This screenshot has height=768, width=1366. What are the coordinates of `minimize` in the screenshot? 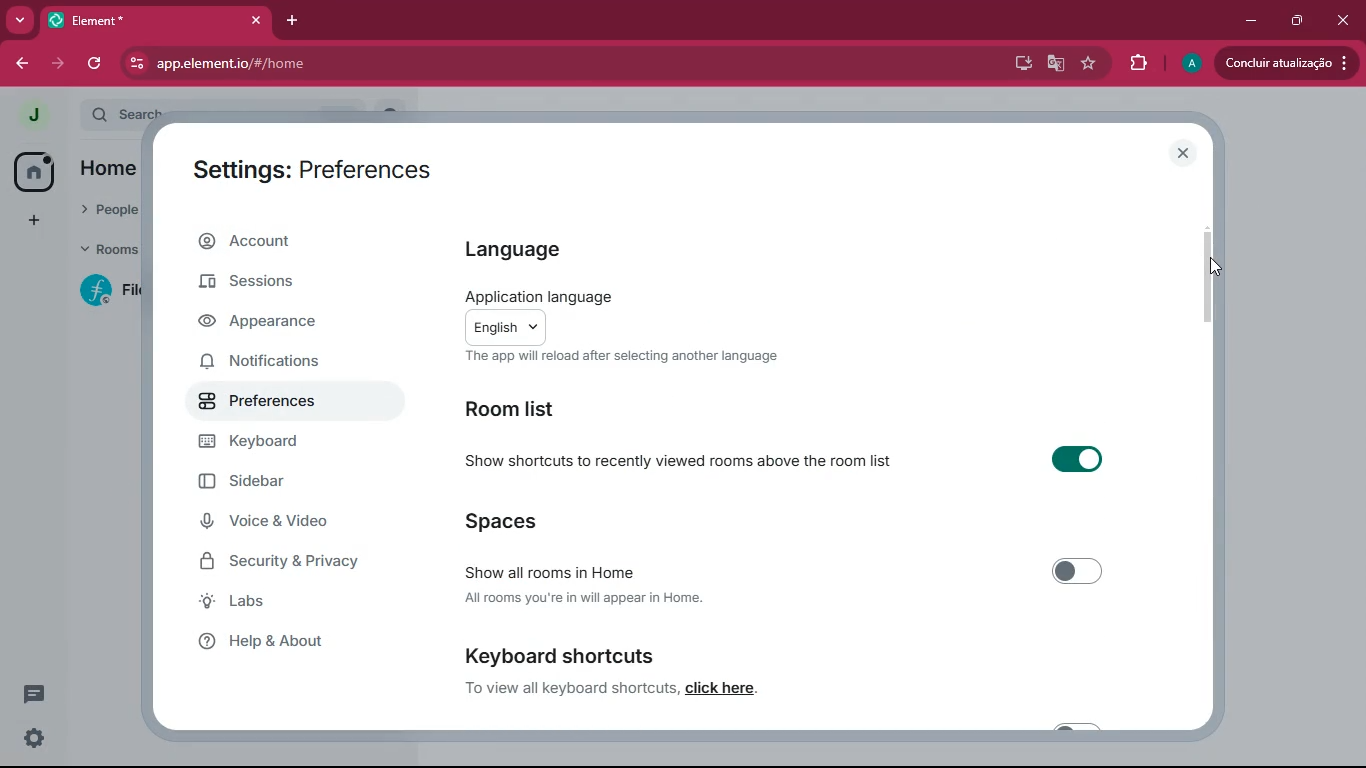 It's located at (1248, 22).